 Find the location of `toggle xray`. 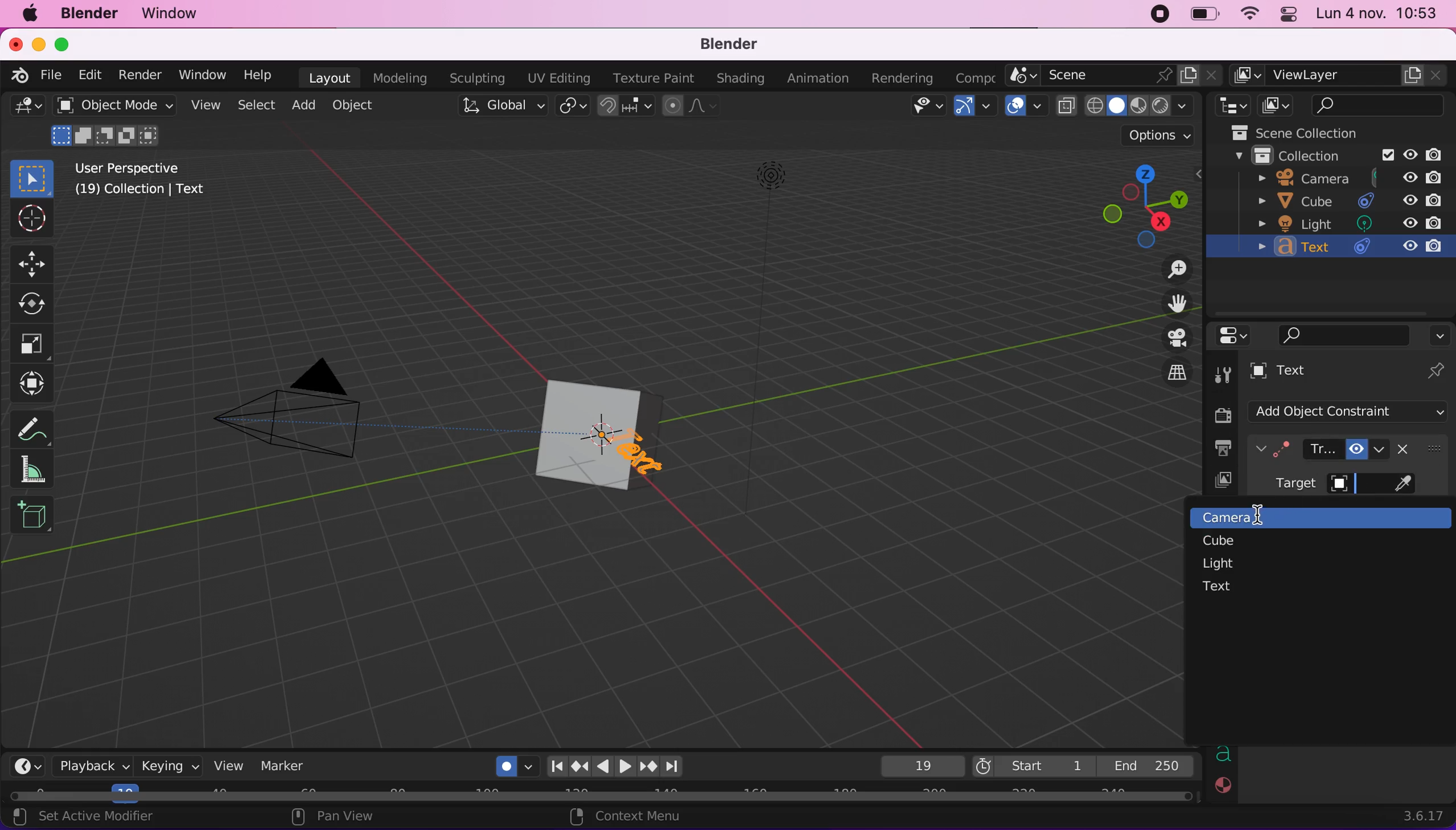

toggle xray is located at coordinates (1066, 112).